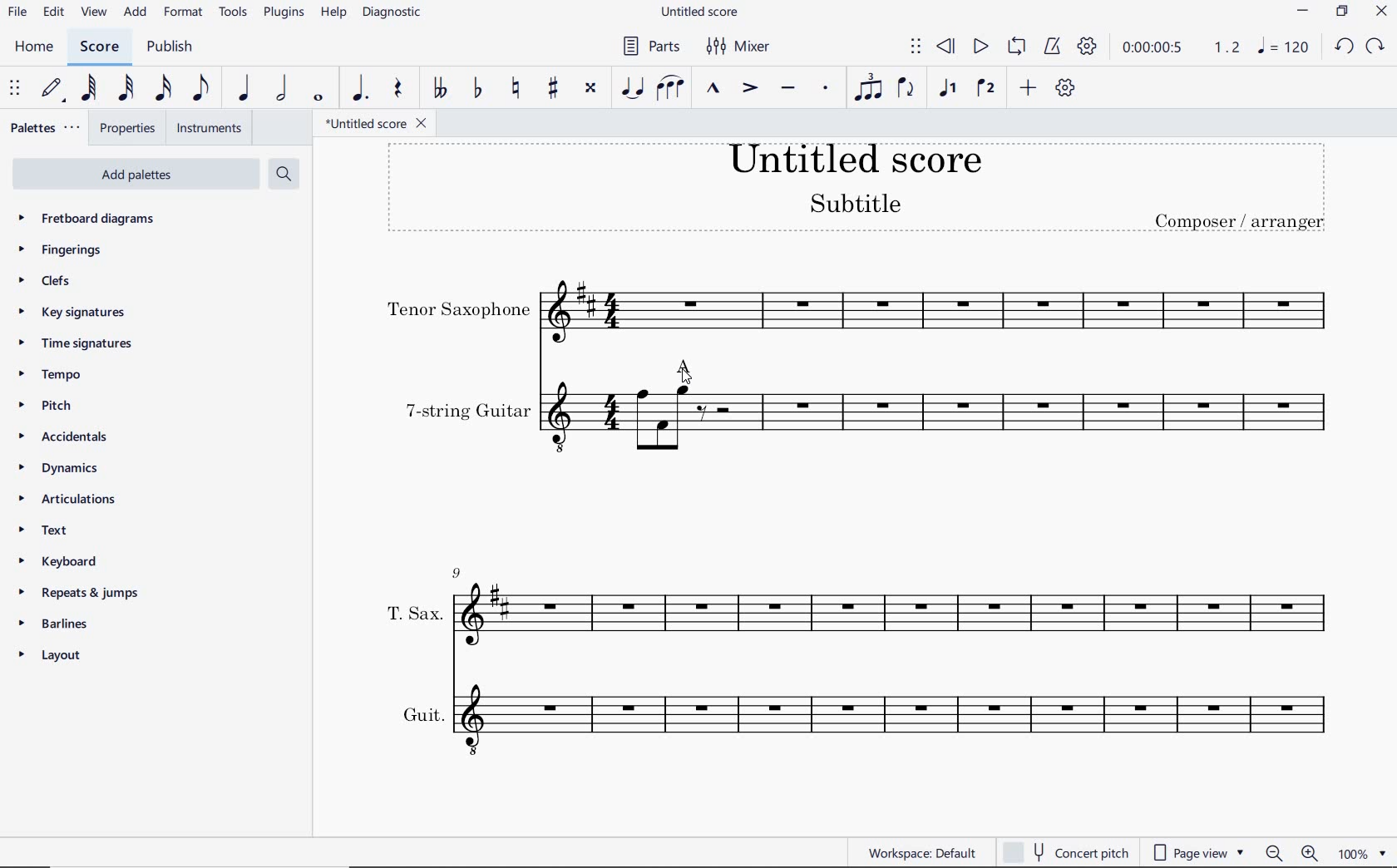 Image resolution: width=1397 pixels, height=868 pixels. Describe the element at coordinates (869, 89) in the screenshot. I see `TUPLET` at that location.